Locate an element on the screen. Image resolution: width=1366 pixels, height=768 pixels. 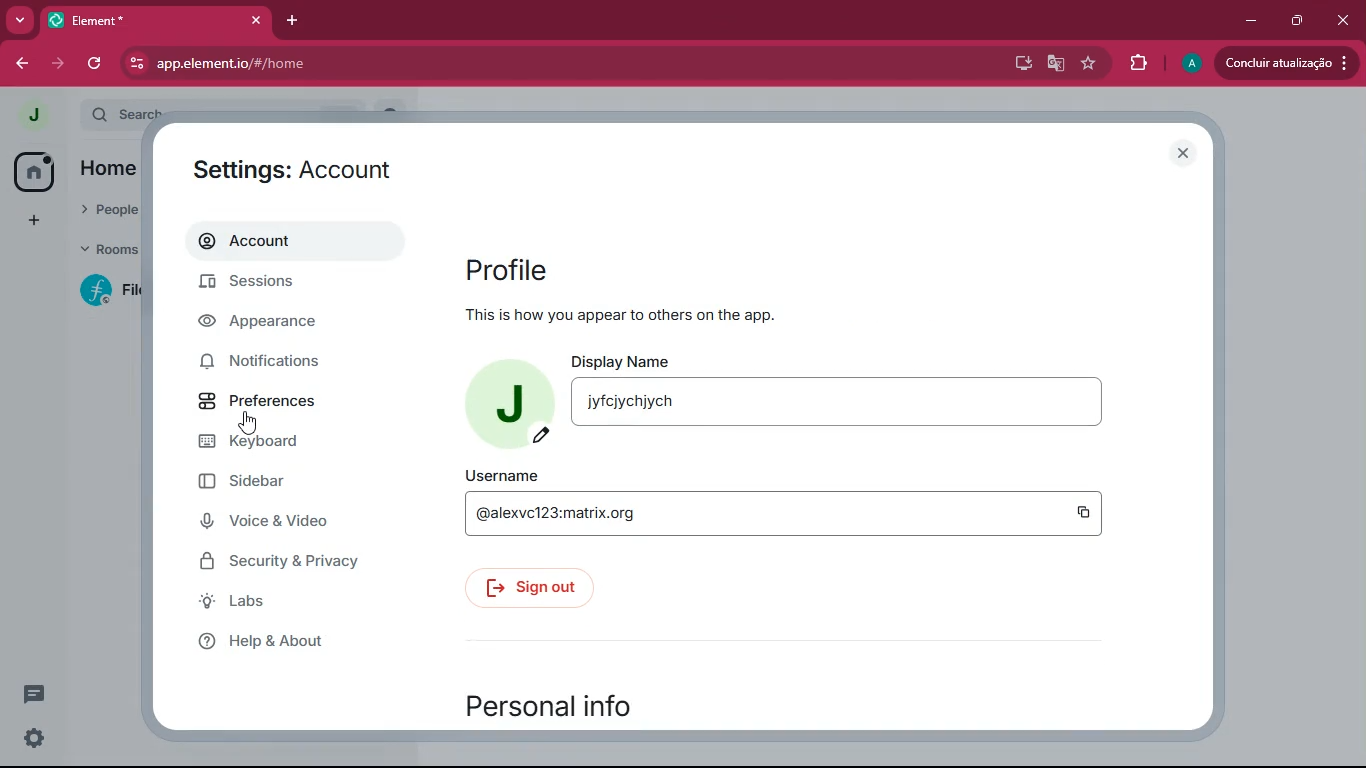
desktop is located at coordinates (1021, 64).